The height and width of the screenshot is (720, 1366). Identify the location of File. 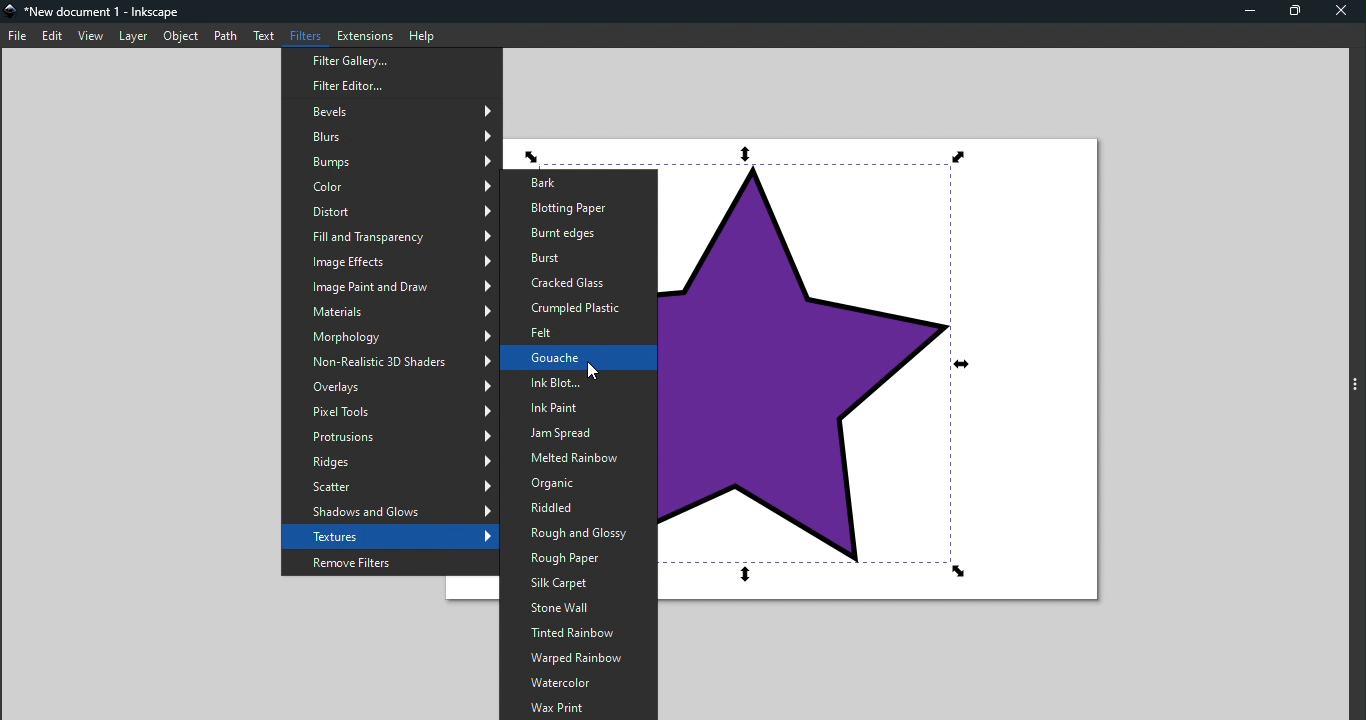
(18, 35).